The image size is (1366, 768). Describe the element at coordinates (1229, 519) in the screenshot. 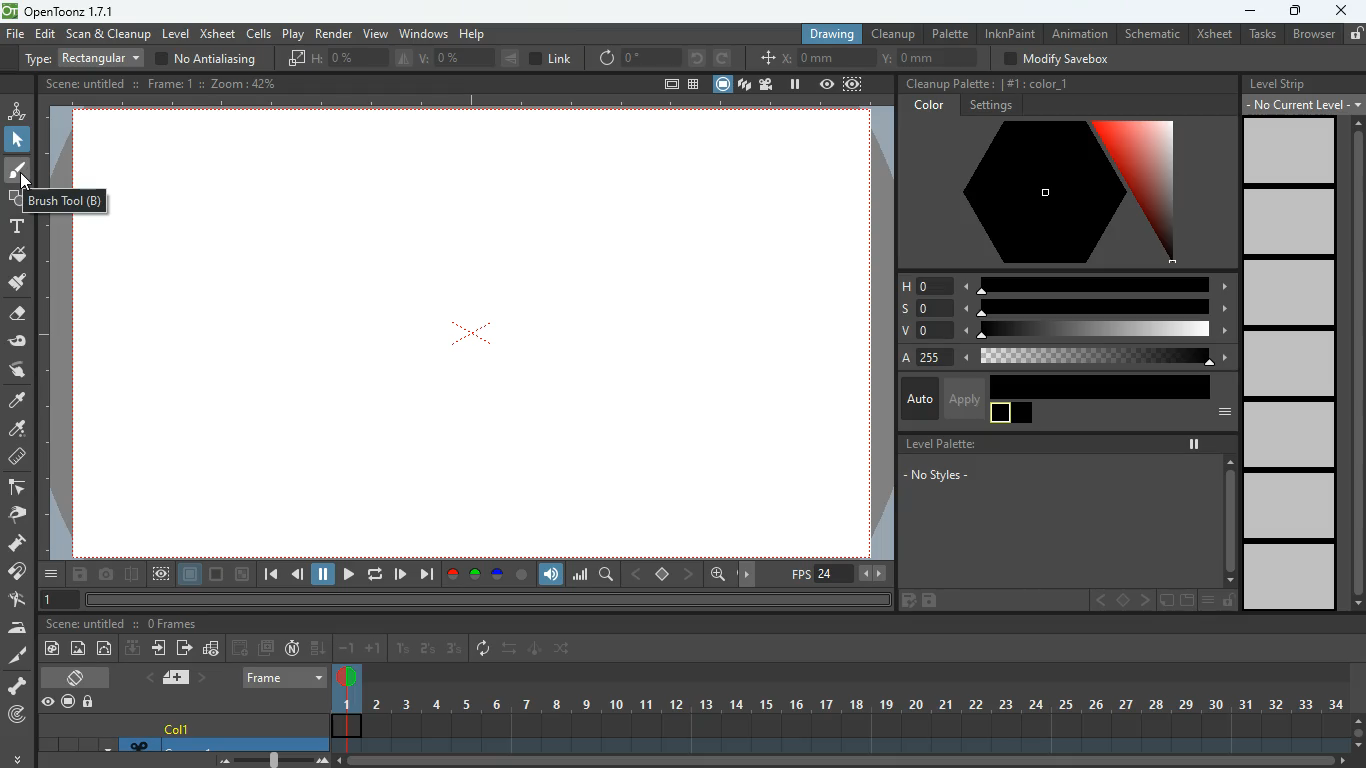

I see `scroll` at that location.